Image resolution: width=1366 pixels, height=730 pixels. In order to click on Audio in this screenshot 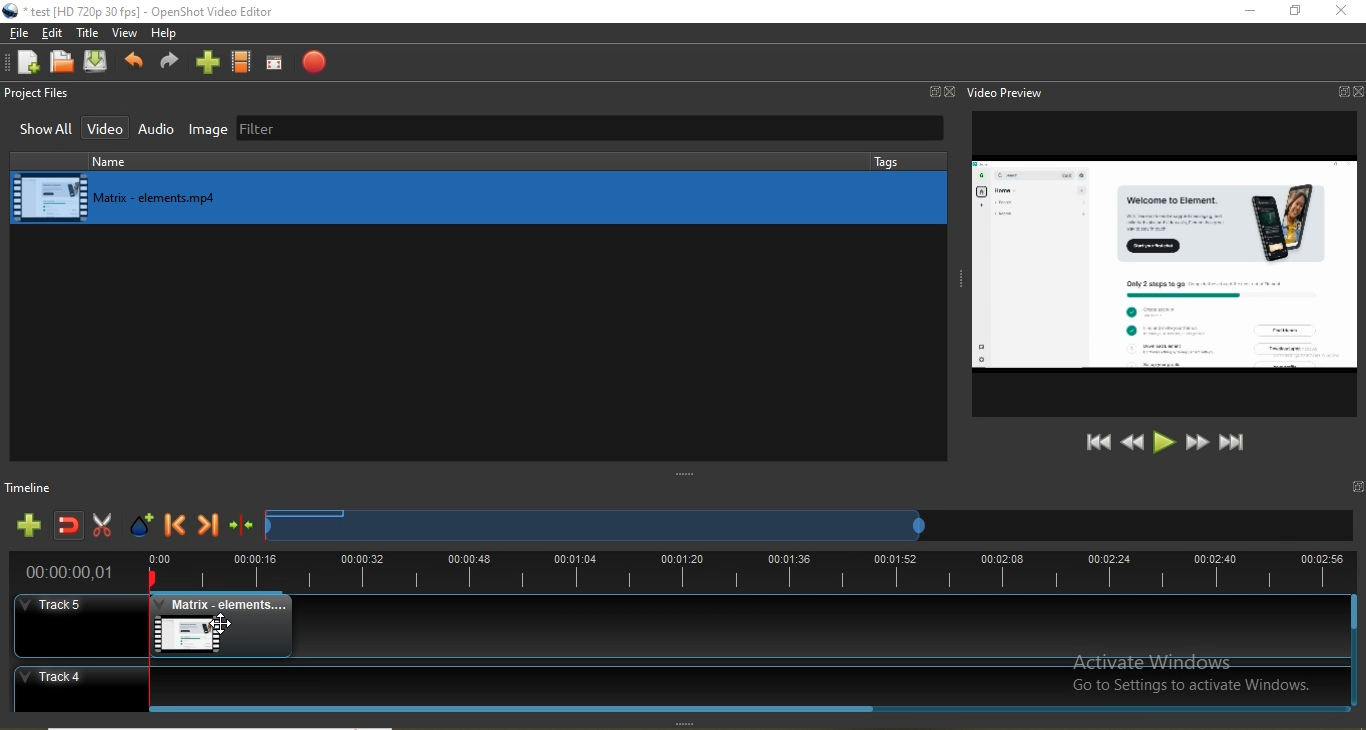, I will do `click(158, 130)`.